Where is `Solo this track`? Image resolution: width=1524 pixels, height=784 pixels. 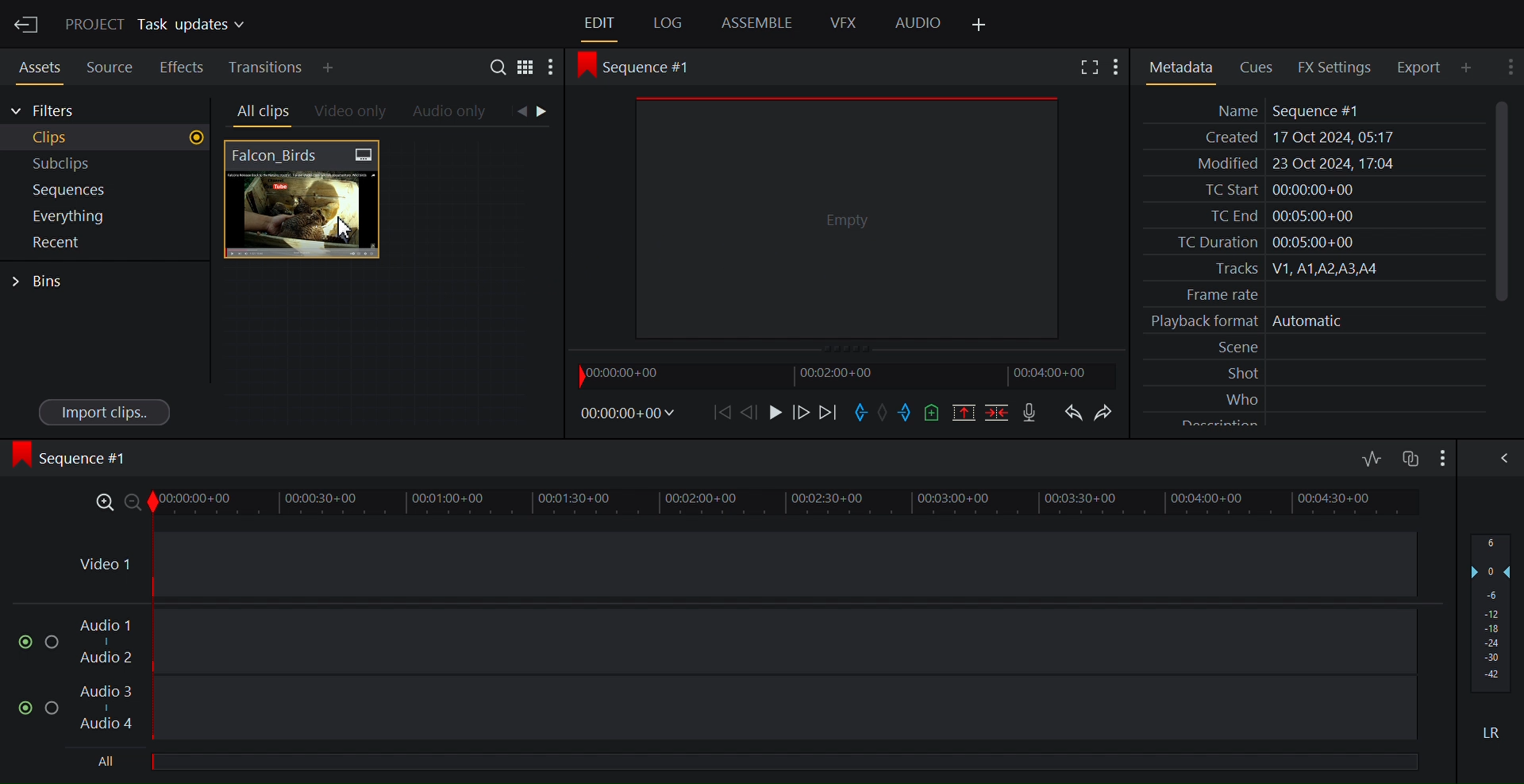 Solo this track is located at coordinates (53, 709).